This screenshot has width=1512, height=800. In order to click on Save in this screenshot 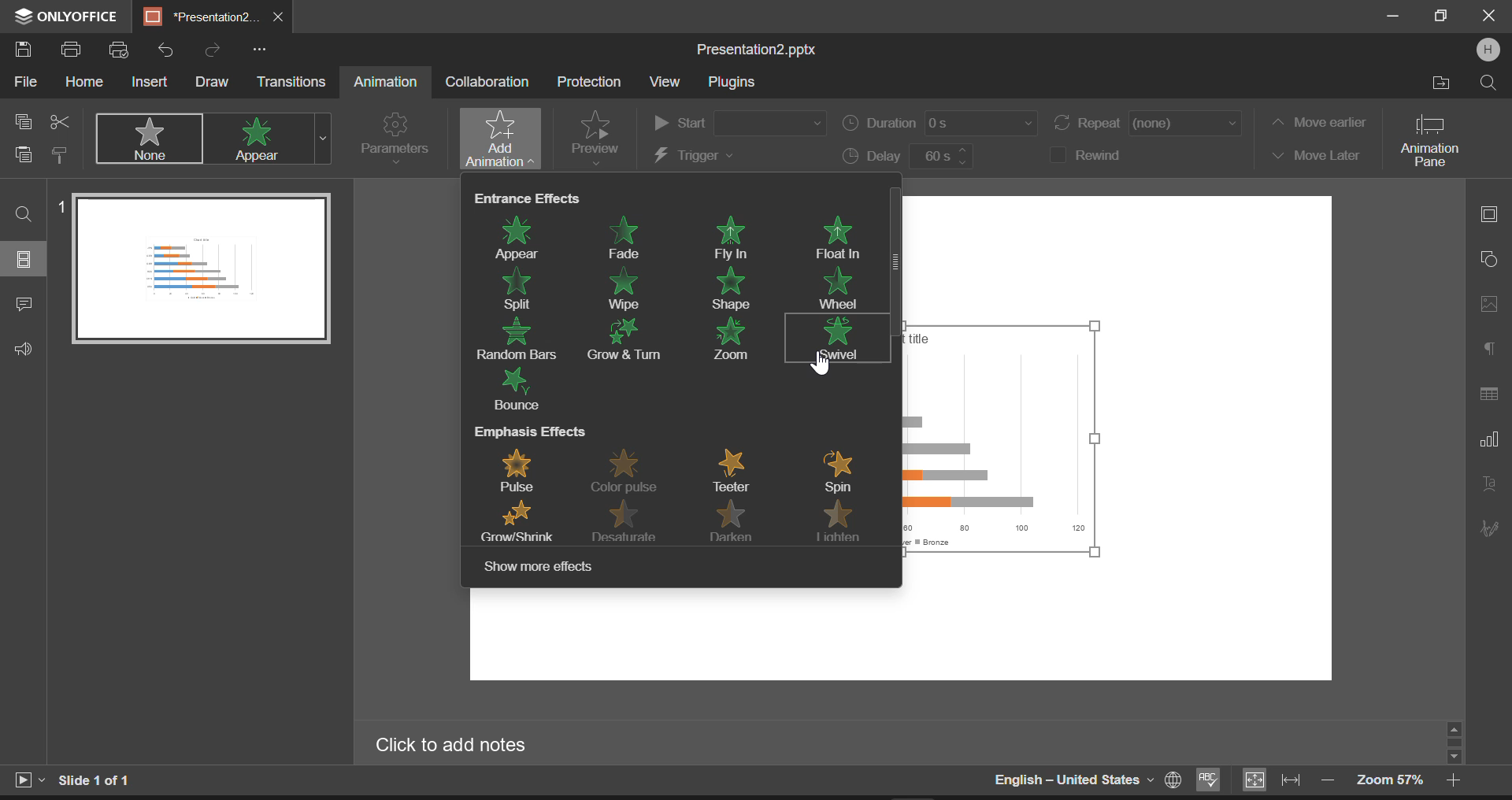, I will do `click(27, 50)`.